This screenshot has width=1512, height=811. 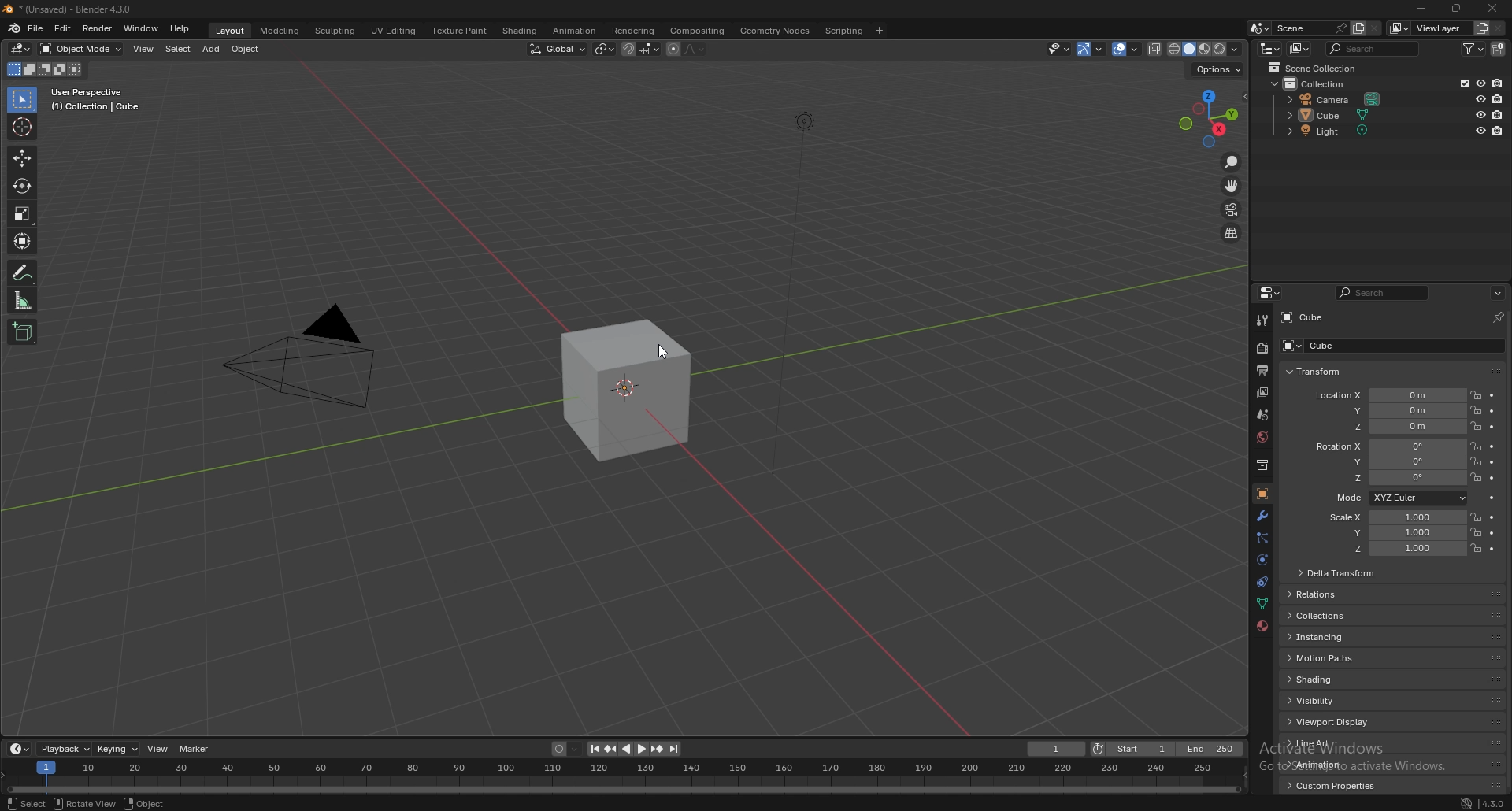 What do you see at coordinates (1368, 346) in the screenshot?
I see `cube` at bounding box center [1368, 346].